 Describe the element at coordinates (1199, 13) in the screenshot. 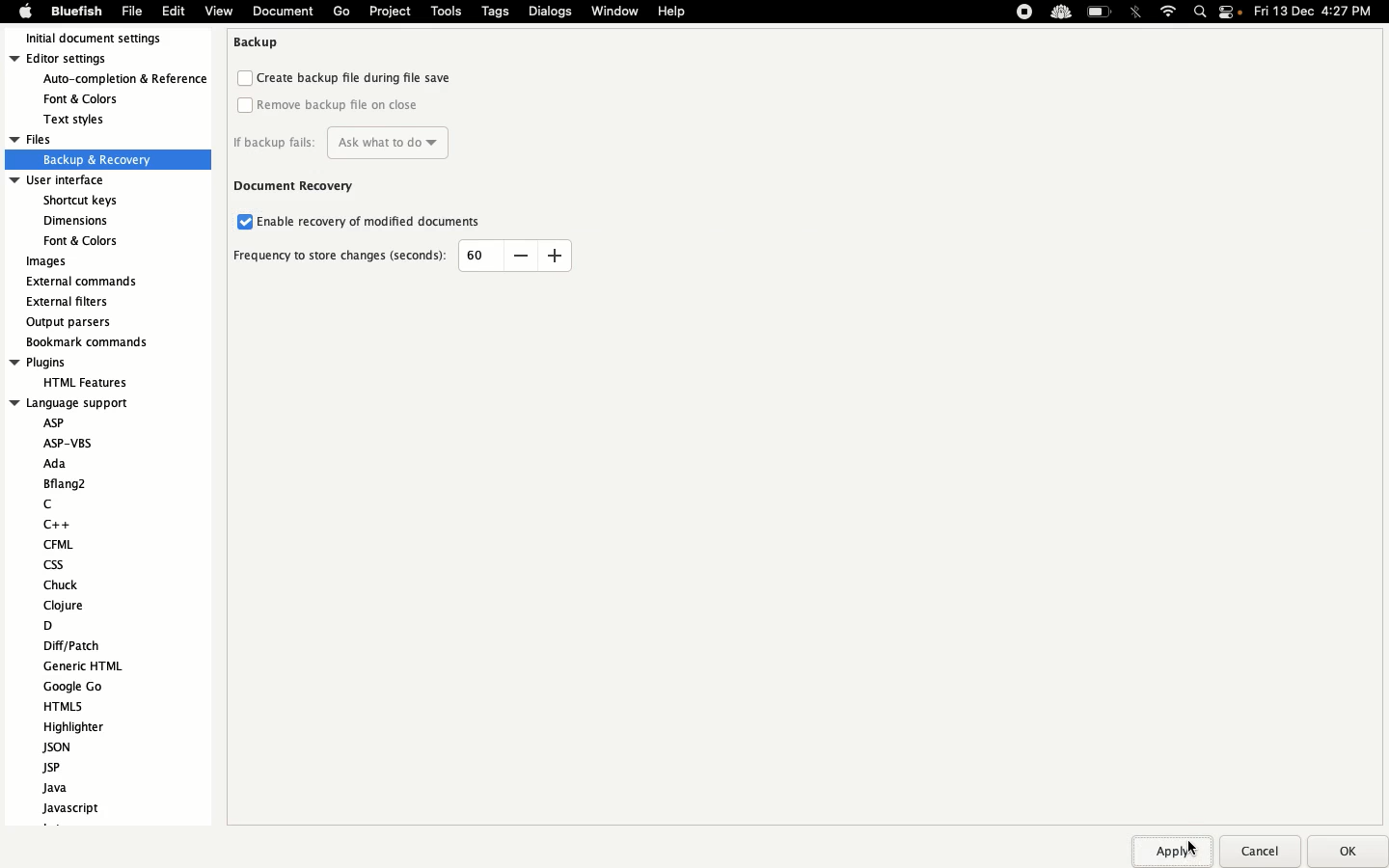

I see `Search` at that location.